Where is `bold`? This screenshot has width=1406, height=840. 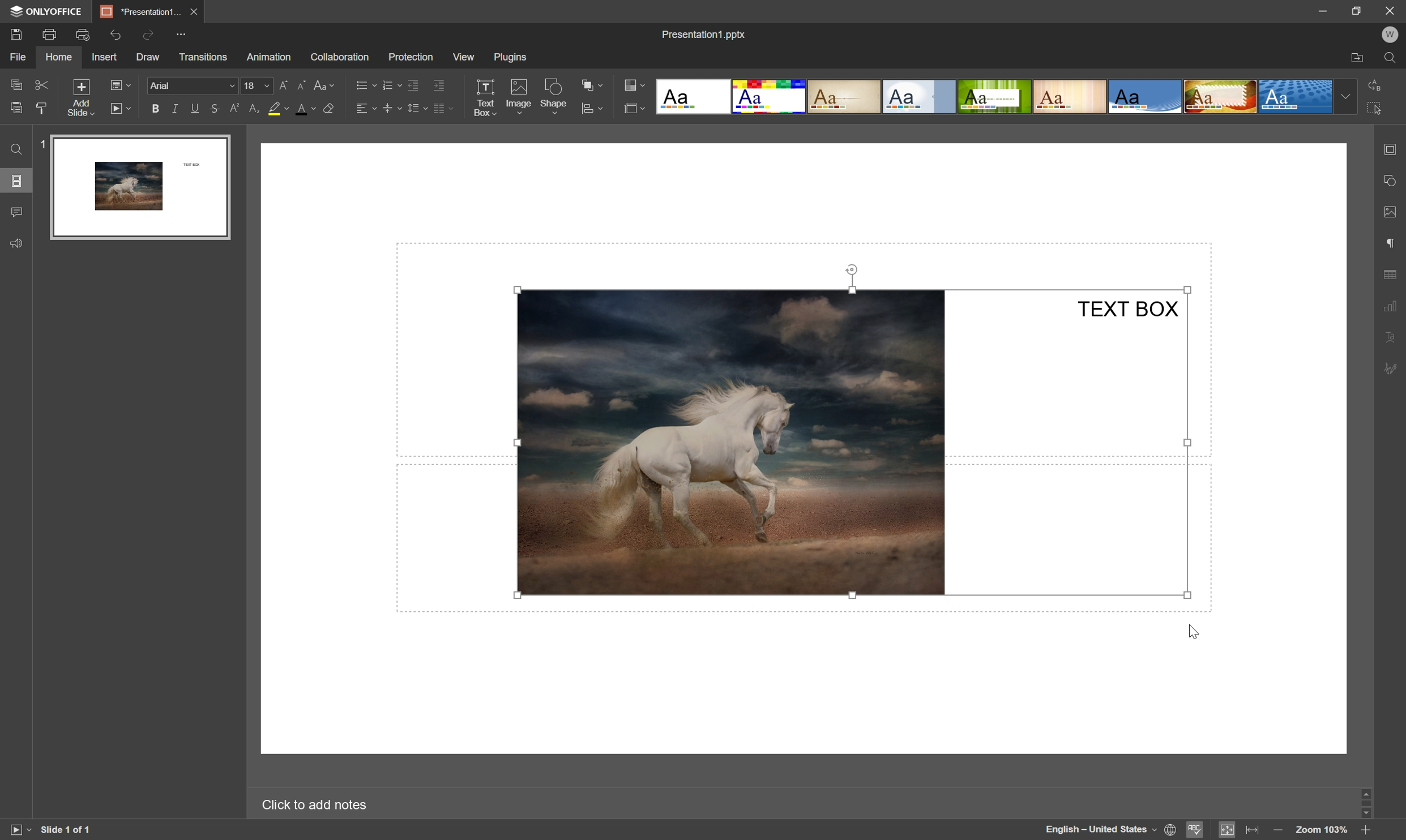
bold is located at coordinates (156, 110).